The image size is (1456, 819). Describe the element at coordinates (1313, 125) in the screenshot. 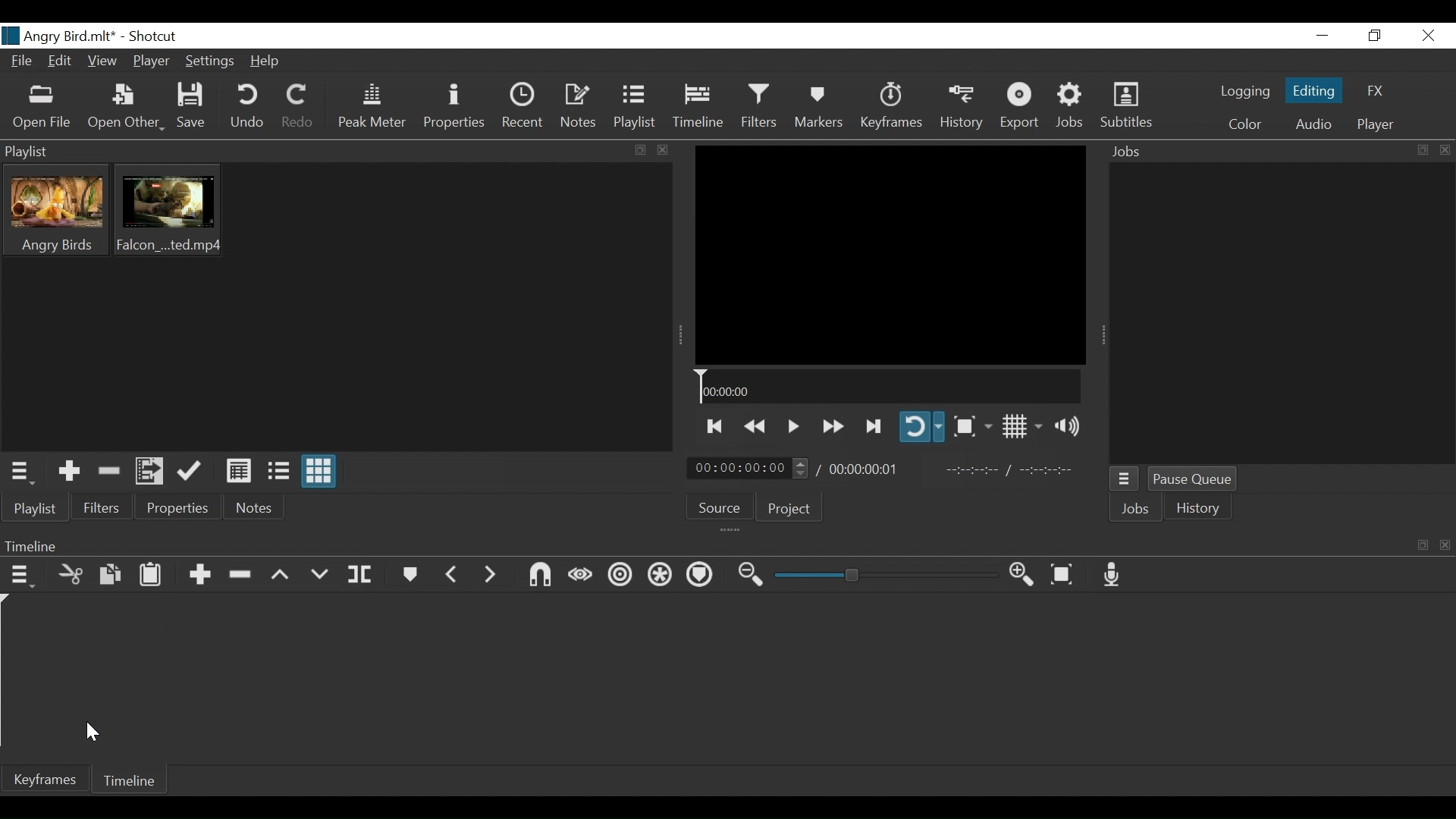

I see `` at that location.